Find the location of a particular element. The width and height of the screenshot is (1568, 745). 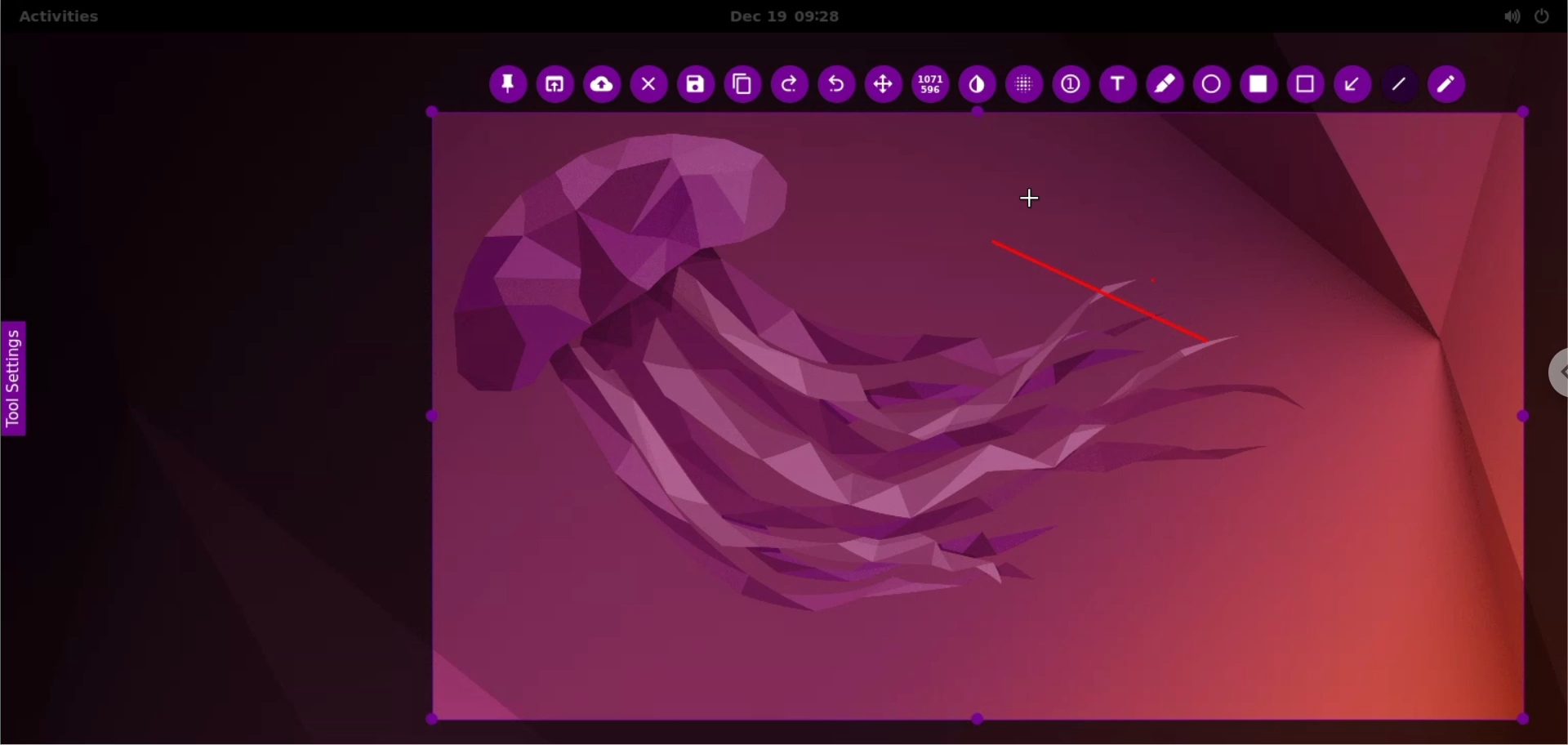

pencil is located at coordinates (1448, 85).